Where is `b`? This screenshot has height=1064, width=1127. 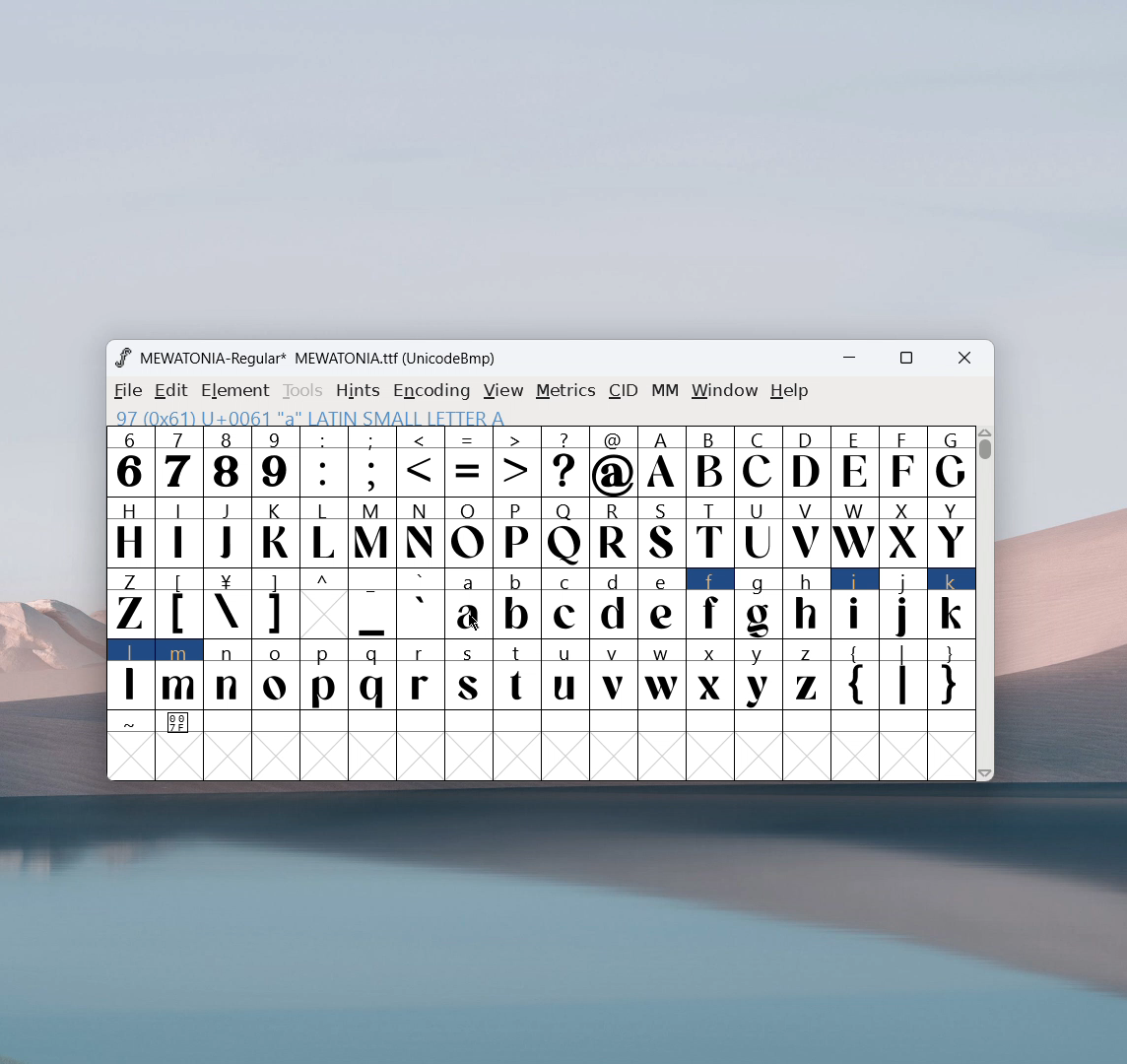
b is located at coordinates (517, 605).